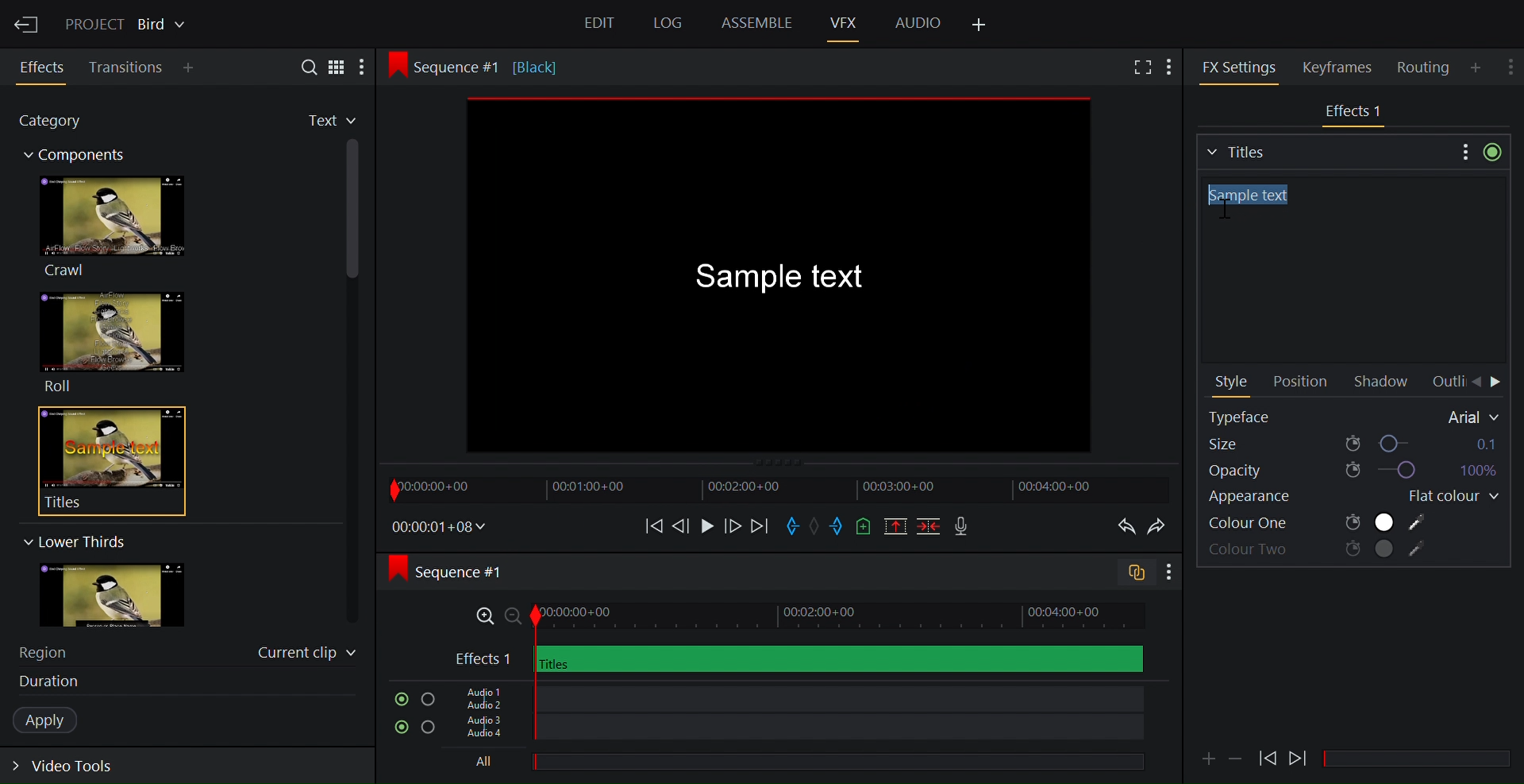 This screenshot has width=1524, height=784. I want to click on Routing, so click(1426, 67).